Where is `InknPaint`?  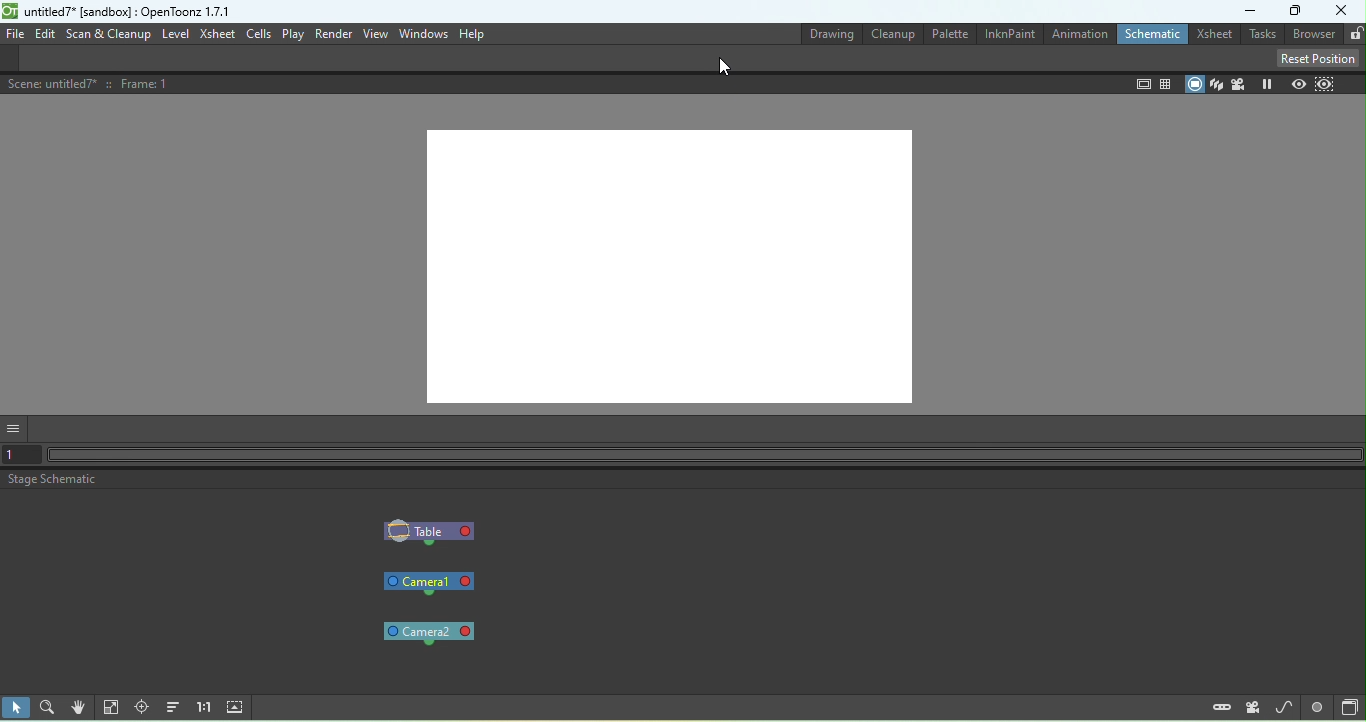 InknPaint is located at coordinates (1009, 35).